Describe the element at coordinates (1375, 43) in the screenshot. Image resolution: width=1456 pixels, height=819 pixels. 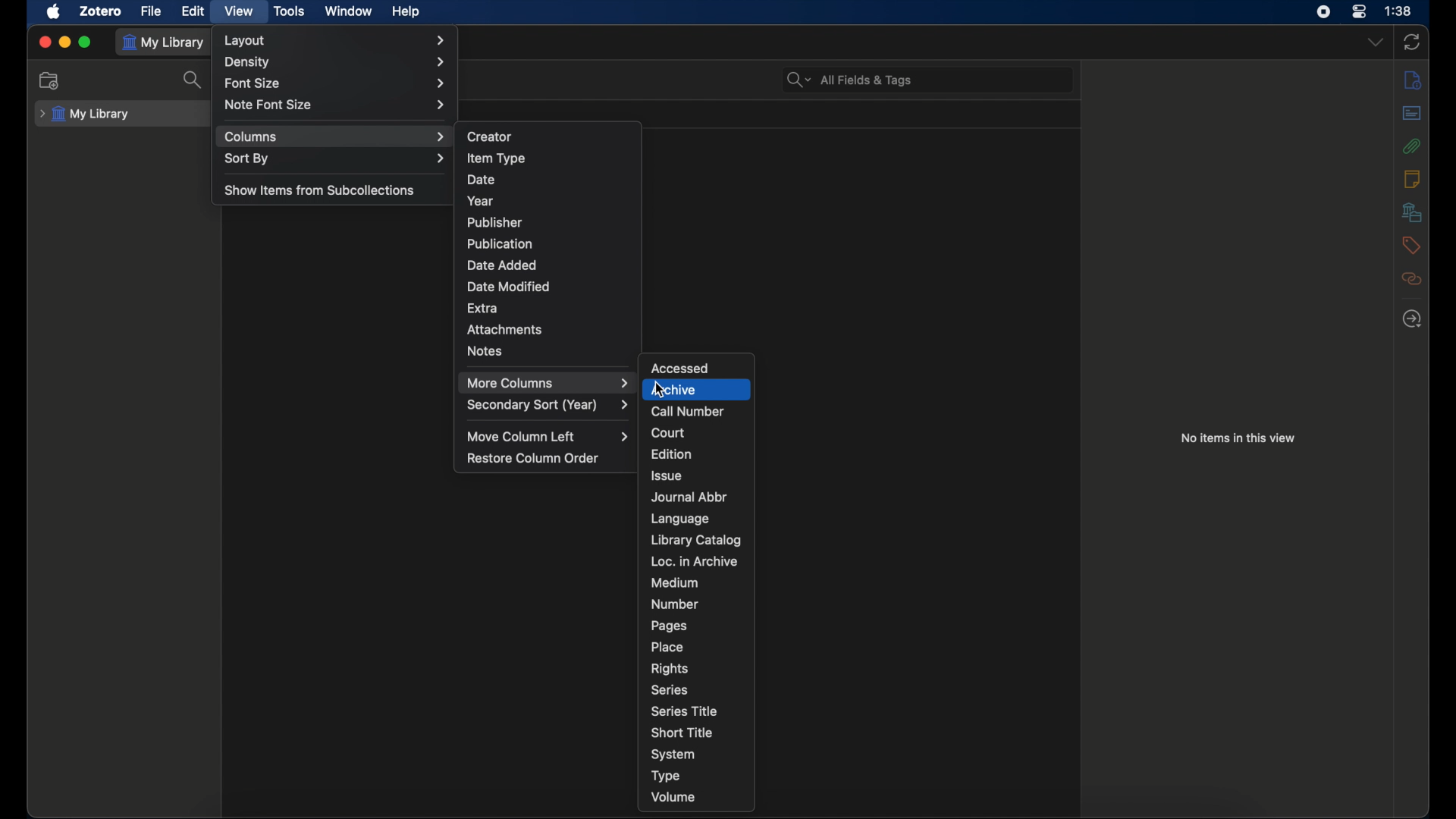
I see `dropdown` at that location.